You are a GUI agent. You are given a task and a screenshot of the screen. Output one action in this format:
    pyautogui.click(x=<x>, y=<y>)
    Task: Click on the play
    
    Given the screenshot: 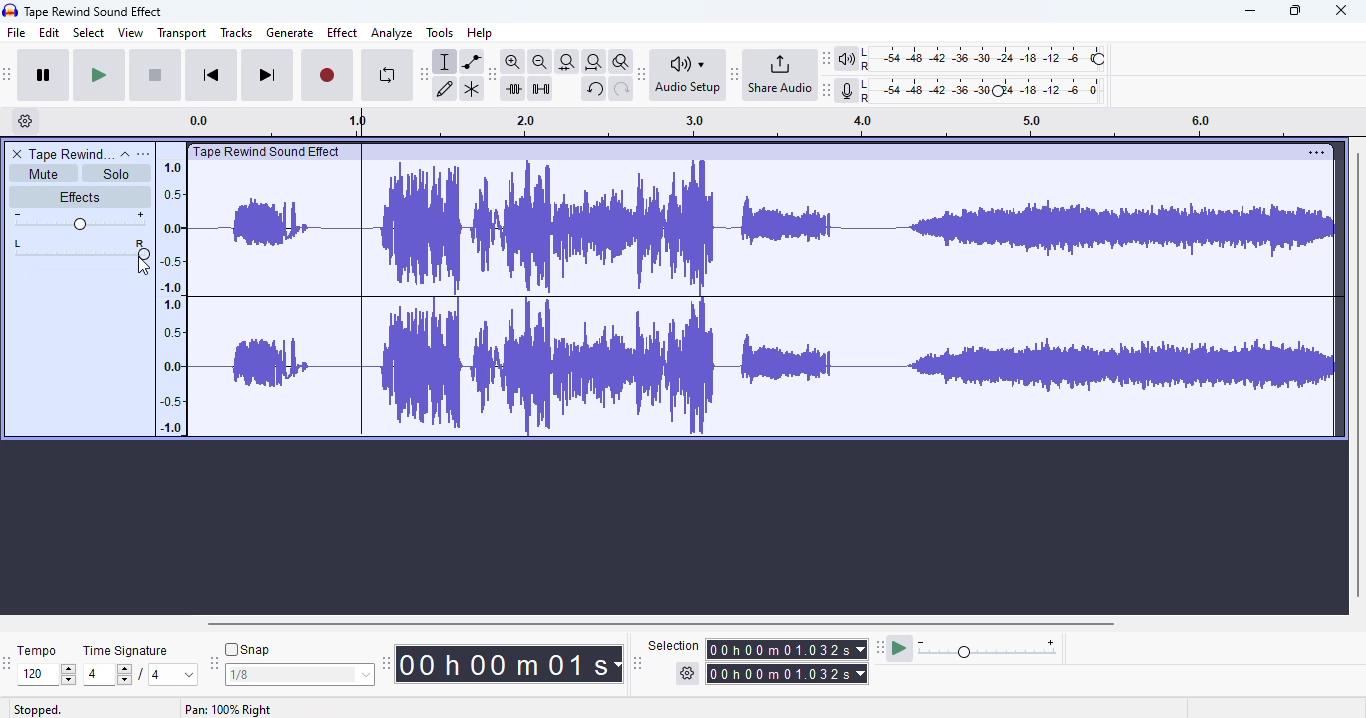 What is the action you would take?
    pyautogui.click(x=99, y=76)
    